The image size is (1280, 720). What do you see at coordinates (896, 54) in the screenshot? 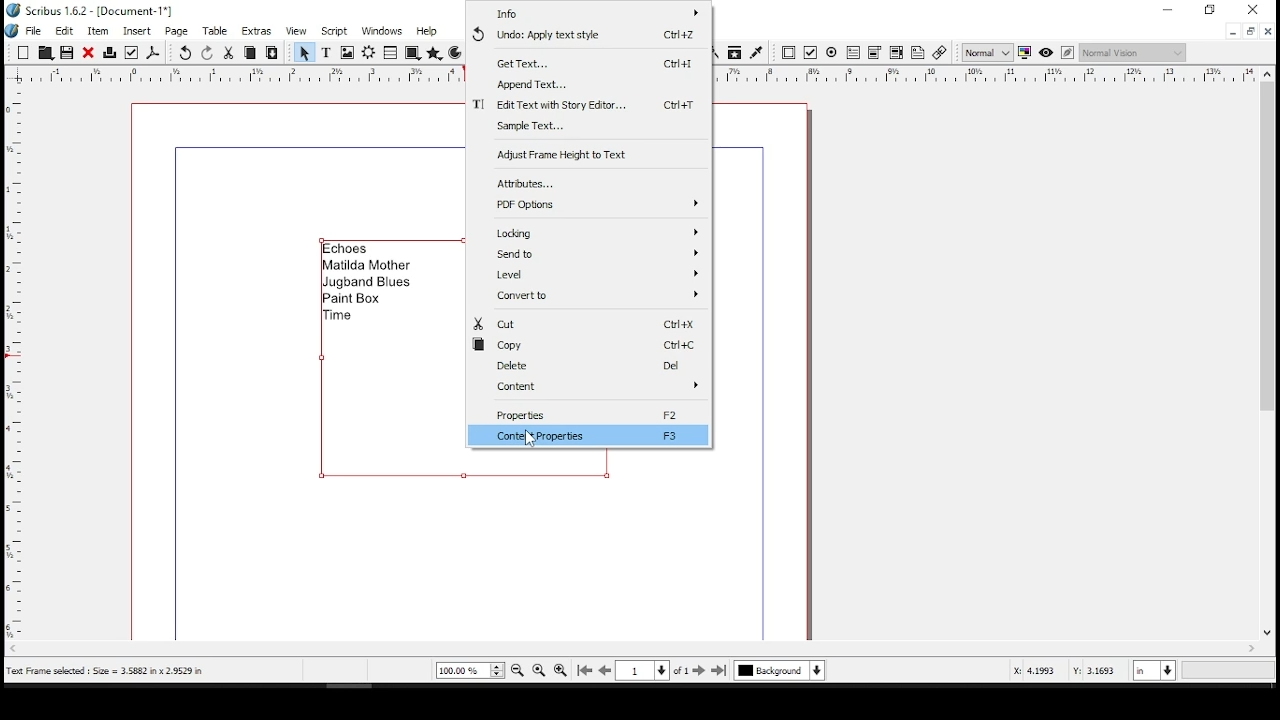
I see `pdf list box` at bounding box center [896, 54].